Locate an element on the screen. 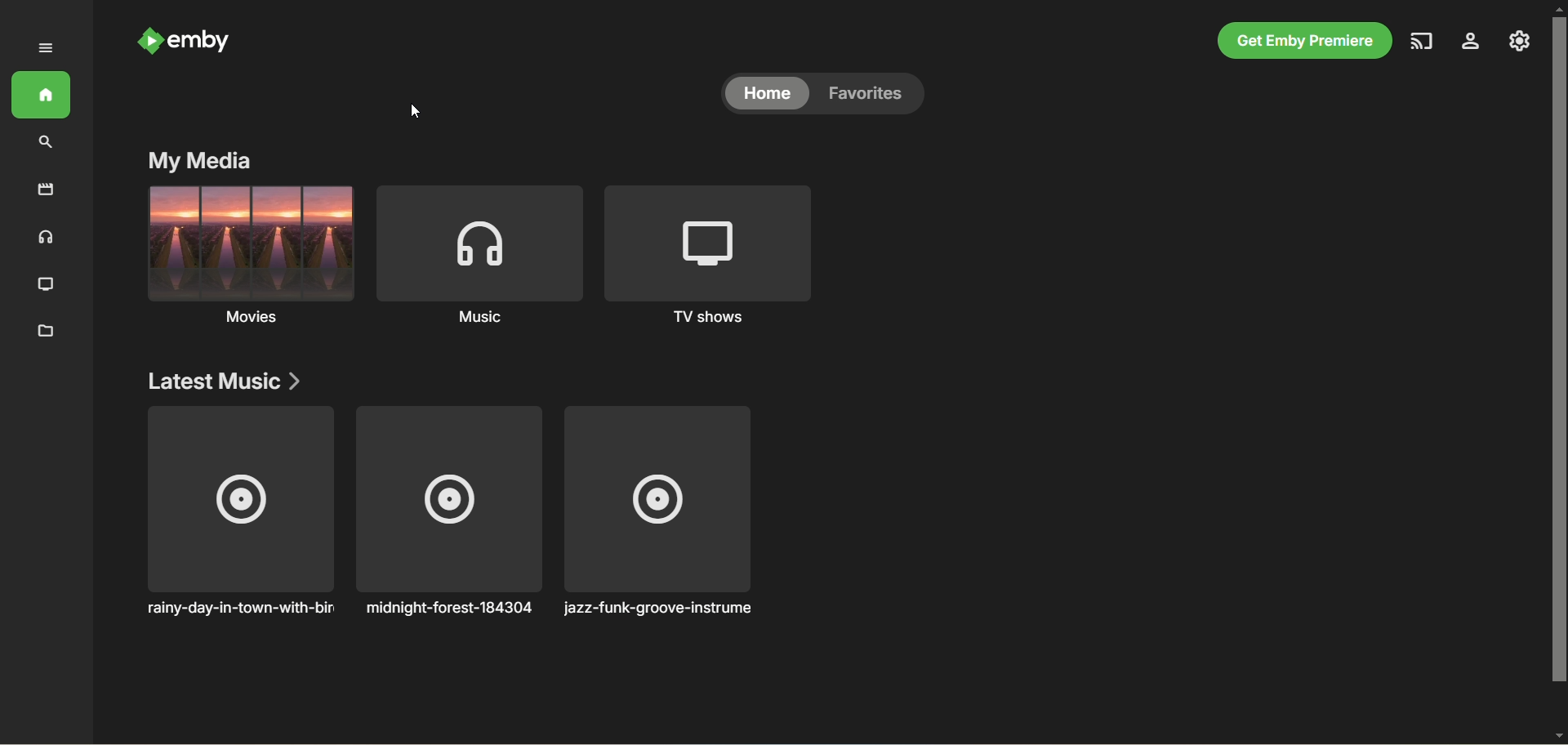  Music is located at coordinates (482, 254).